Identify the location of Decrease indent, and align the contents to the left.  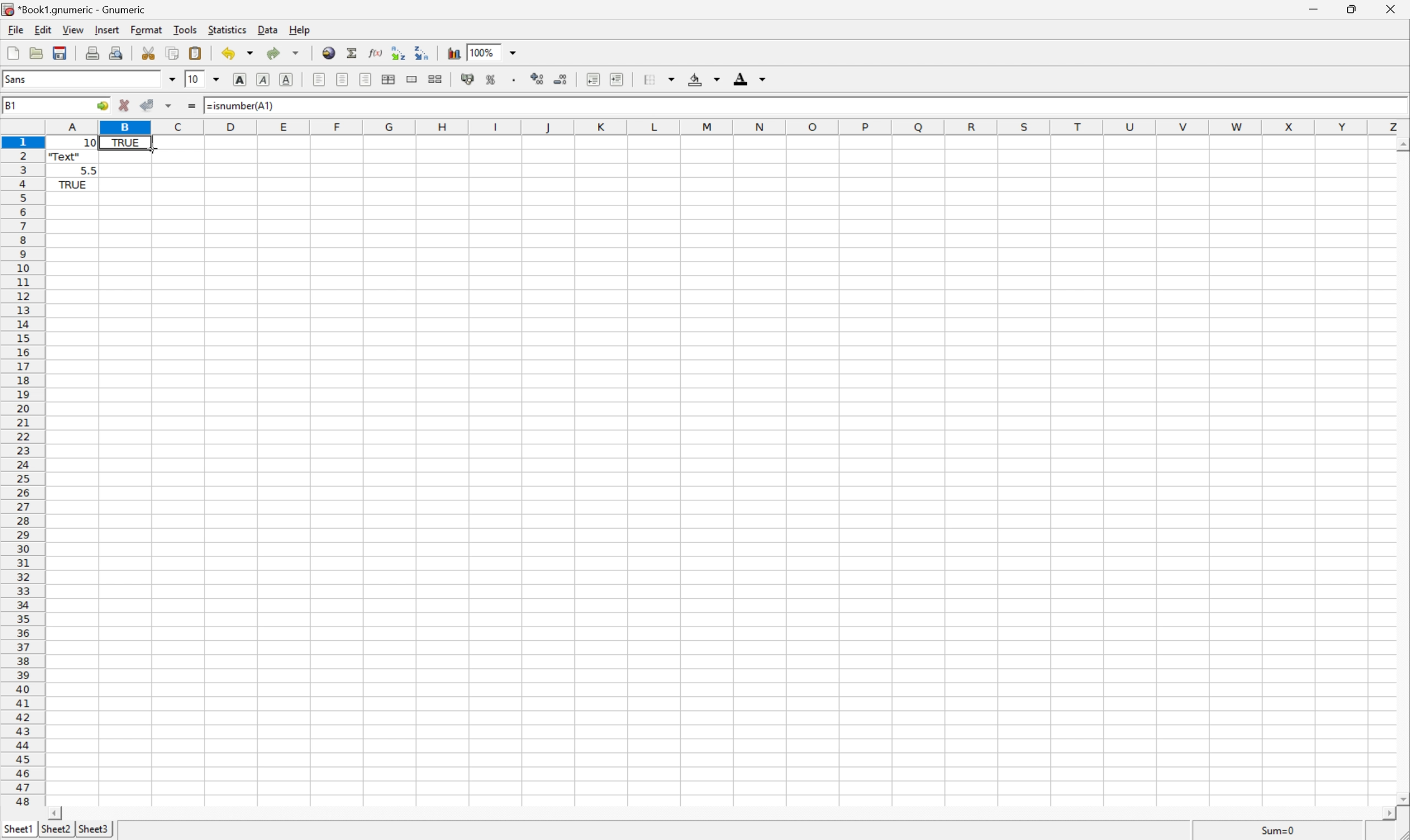
(591, 79).